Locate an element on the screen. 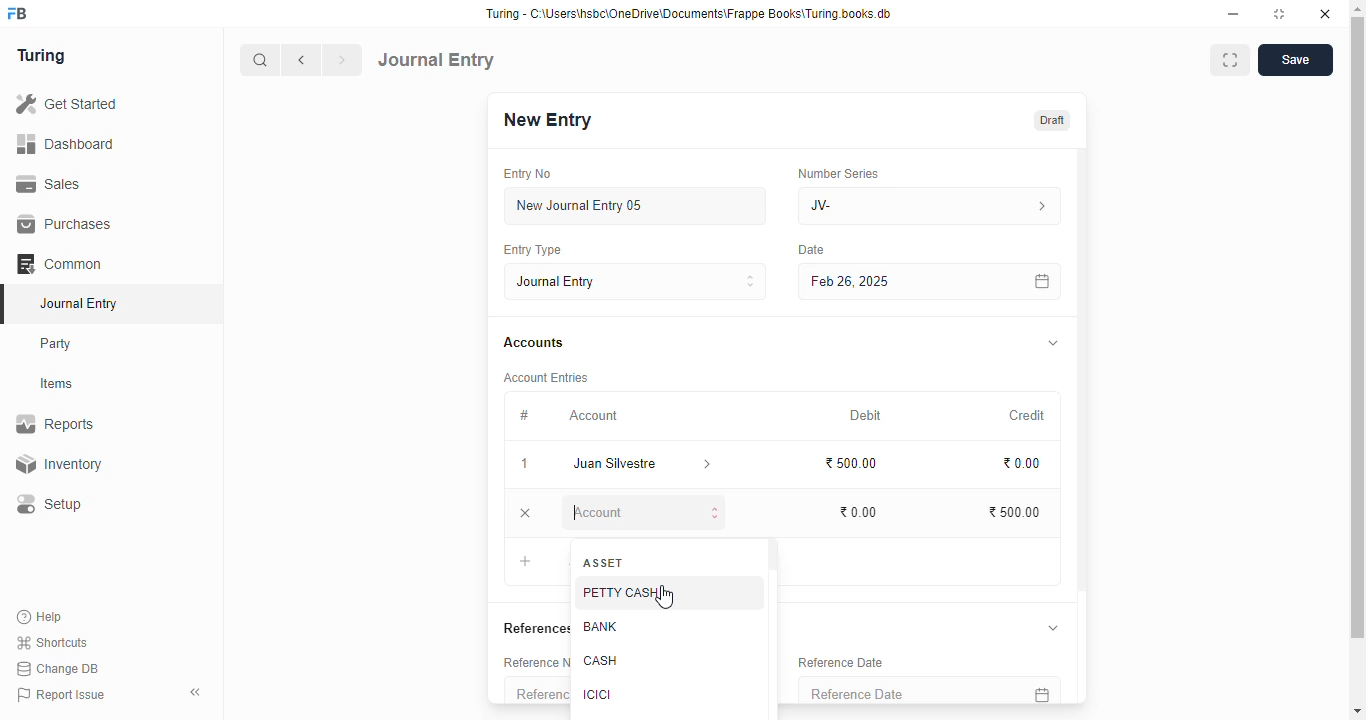 Image resolution: width=1366 pixels, height=720 pixels. change DB is located at coordinates (58, 669).